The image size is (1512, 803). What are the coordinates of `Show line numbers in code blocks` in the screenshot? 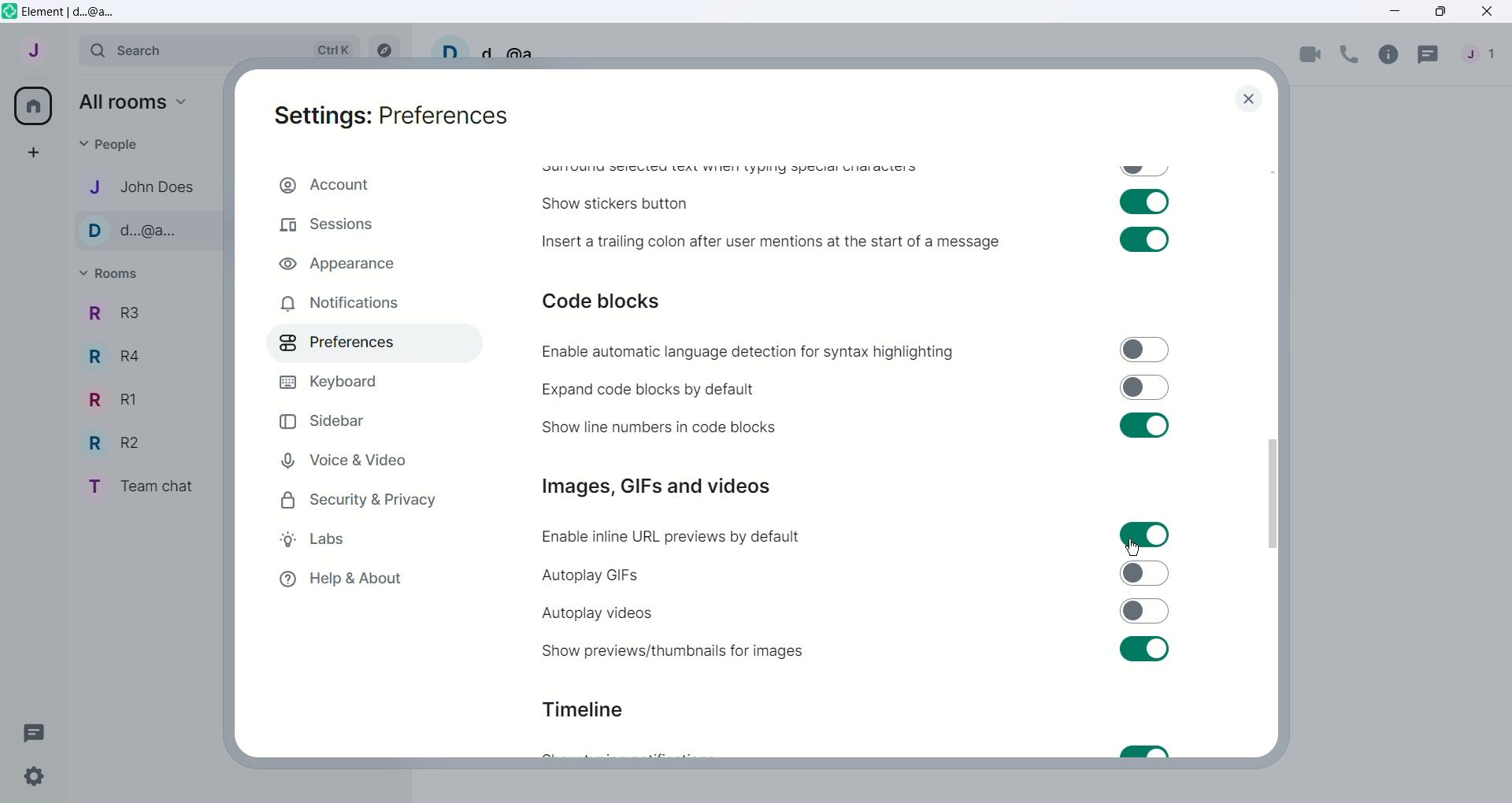 It's located at (659, 426).